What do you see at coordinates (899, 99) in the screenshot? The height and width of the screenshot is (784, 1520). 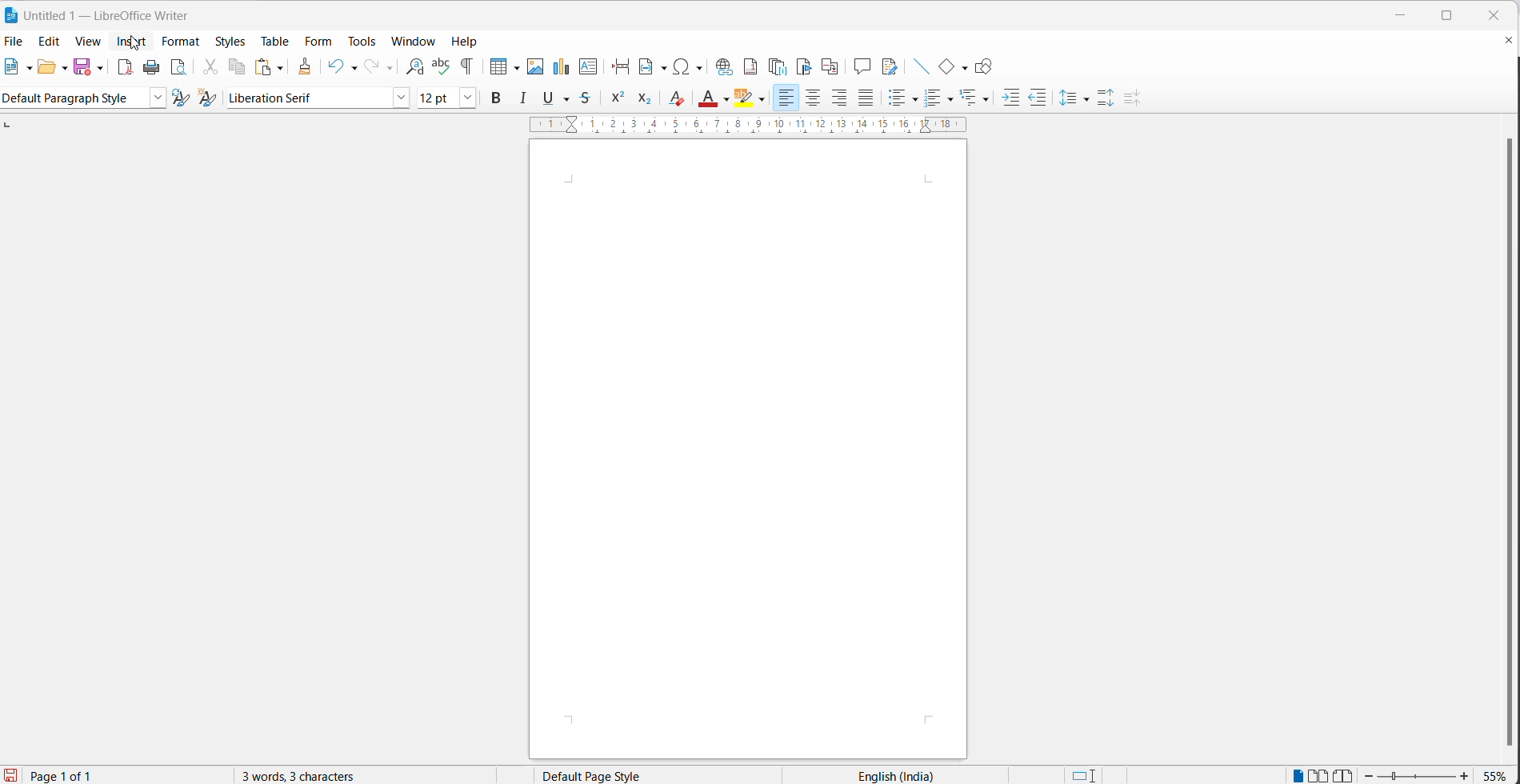 I see `toggle ordered list ` at bounding box center [899, 99].